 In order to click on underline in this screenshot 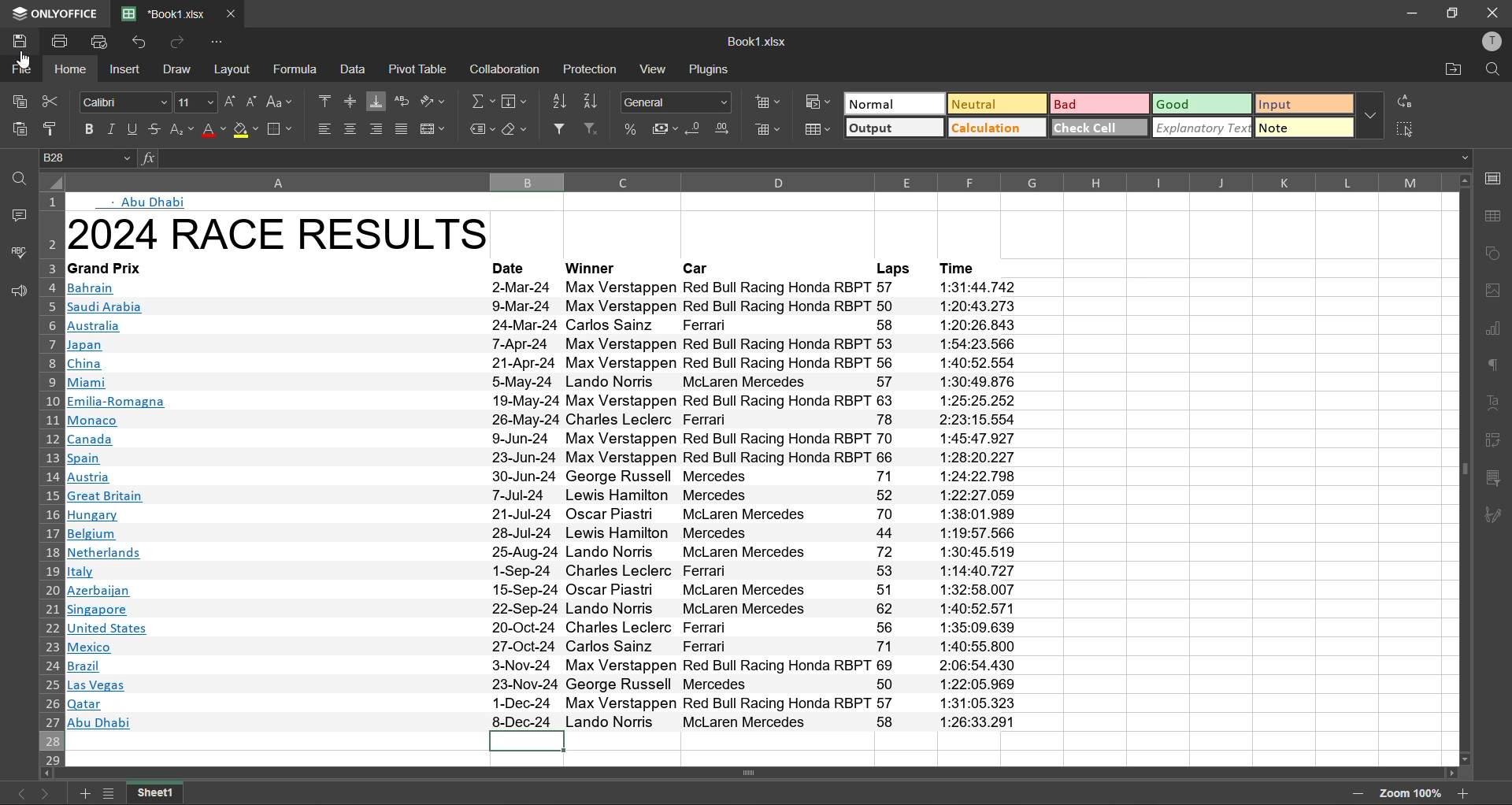, I will do `click(135, 129)`.